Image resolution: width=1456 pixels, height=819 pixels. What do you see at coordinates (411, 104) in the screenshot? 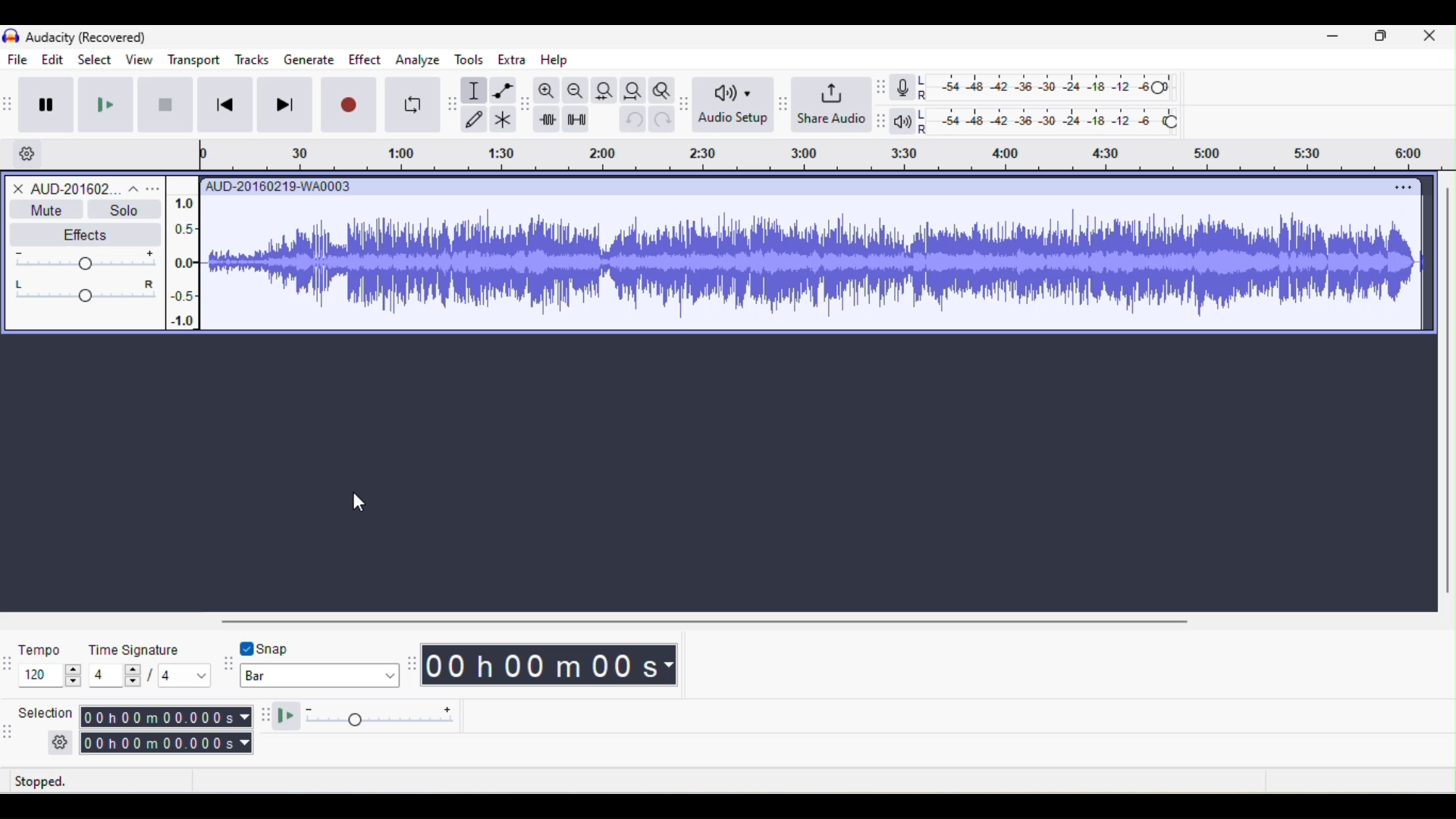
I see `enable looping` at bounding box center [411, 104].